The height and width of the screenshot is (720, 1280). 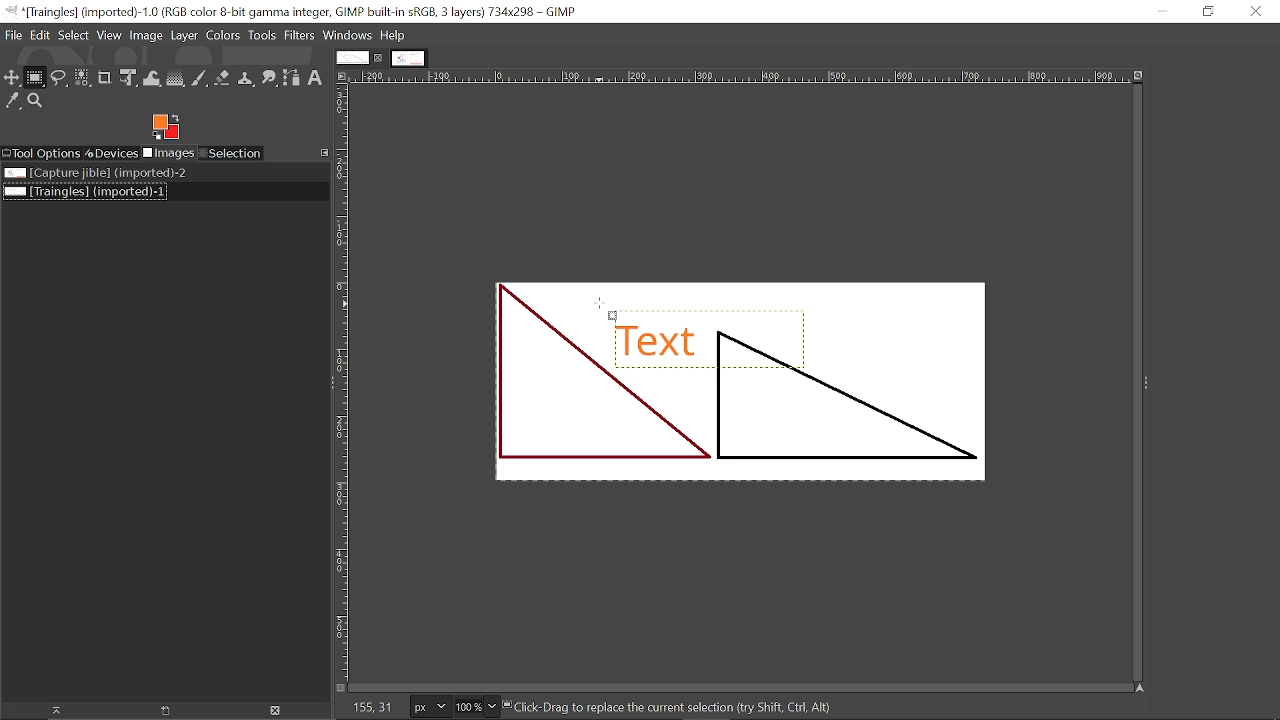 What do you see at coordinates (274, 710) in the screenshot?
I see `Delete Image` at bounding box center [274, 710].